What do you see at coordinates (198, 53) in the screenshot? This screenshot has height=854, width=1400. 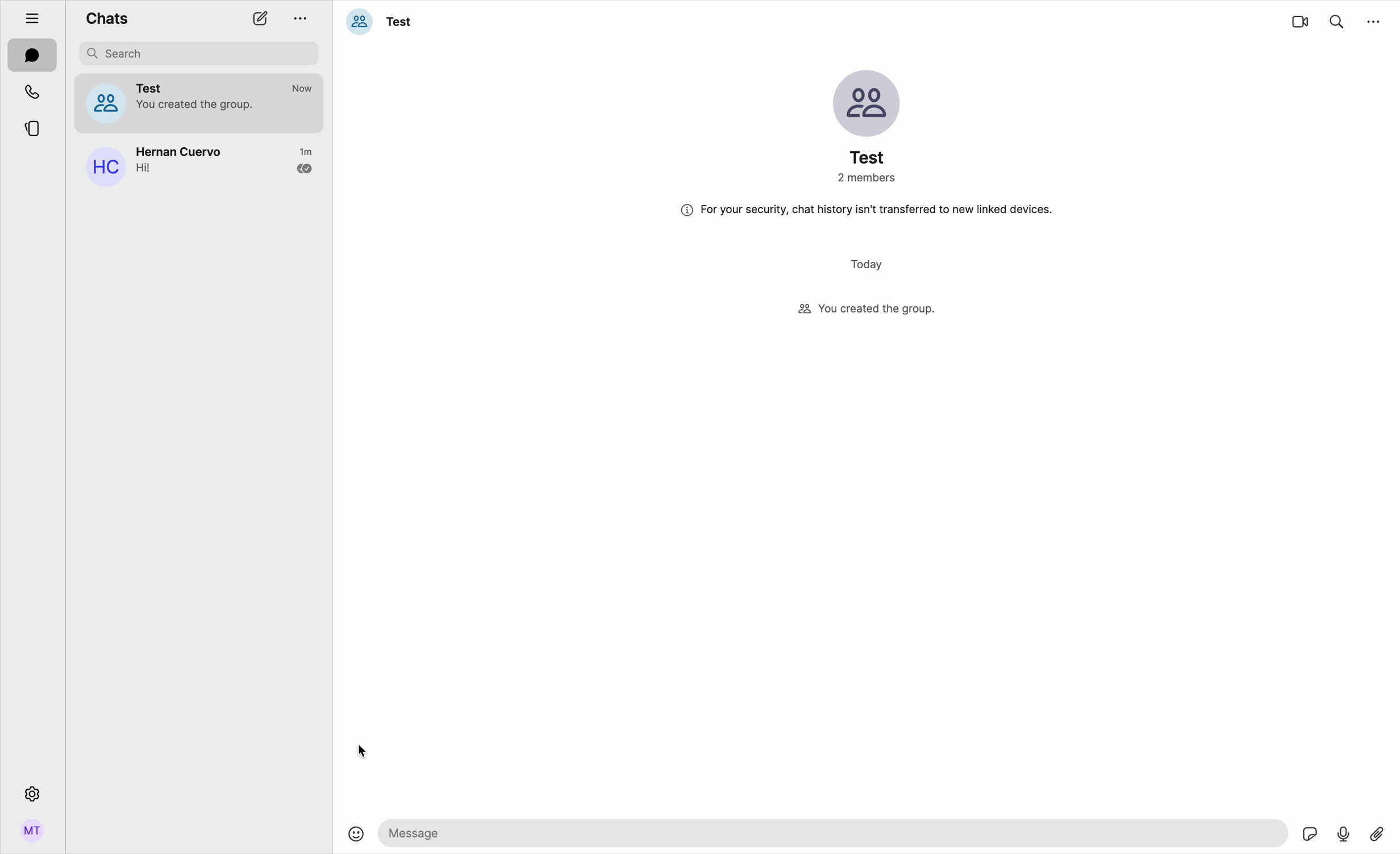 I see `search bar` at bounding box center [198, 53].